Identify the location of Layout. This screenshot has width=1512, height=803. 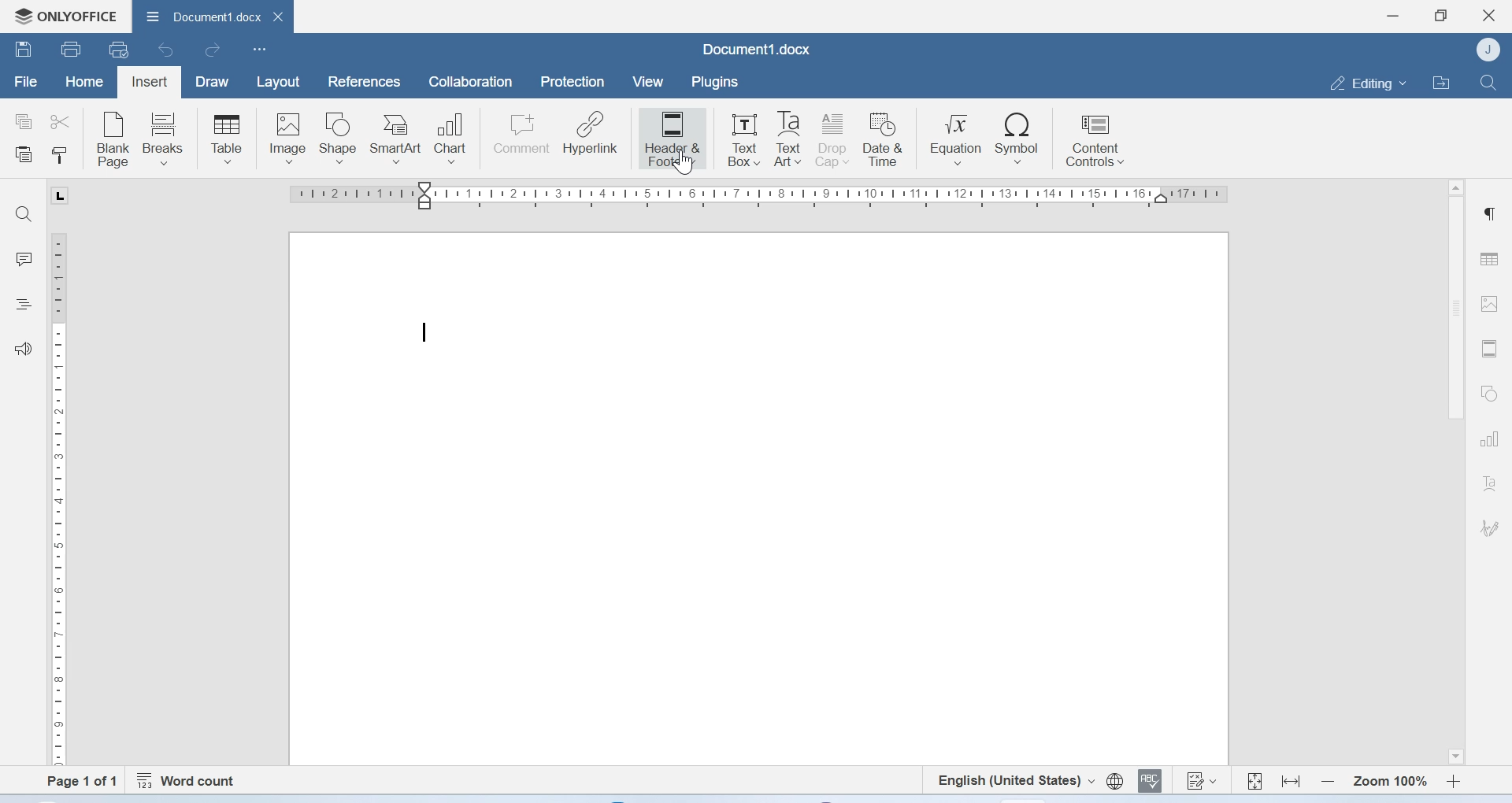
(279, 82).